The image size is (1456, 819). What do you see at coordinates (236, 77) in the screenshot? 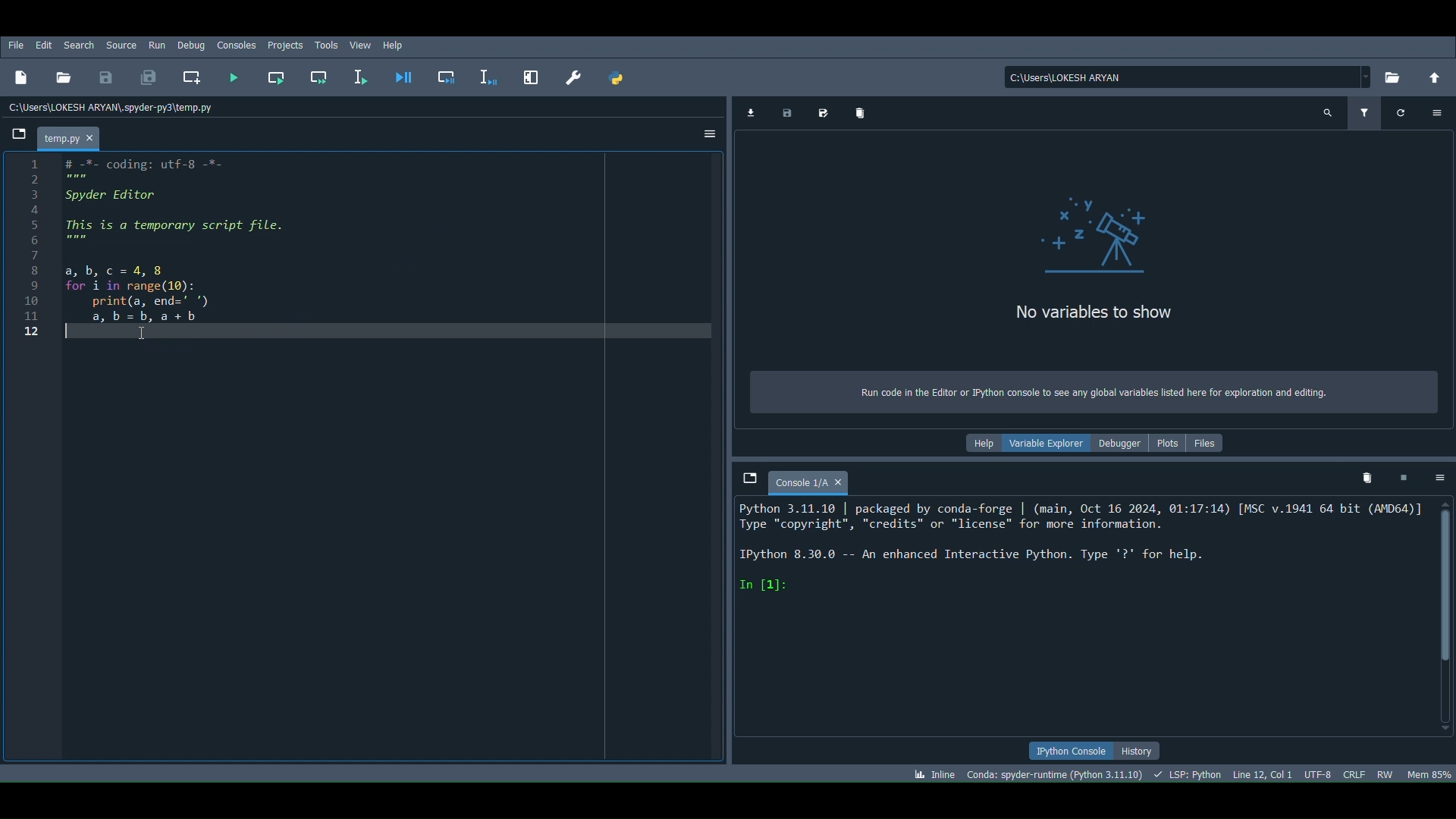
I see `Run file (F5)` at bounding box center [236, 77].